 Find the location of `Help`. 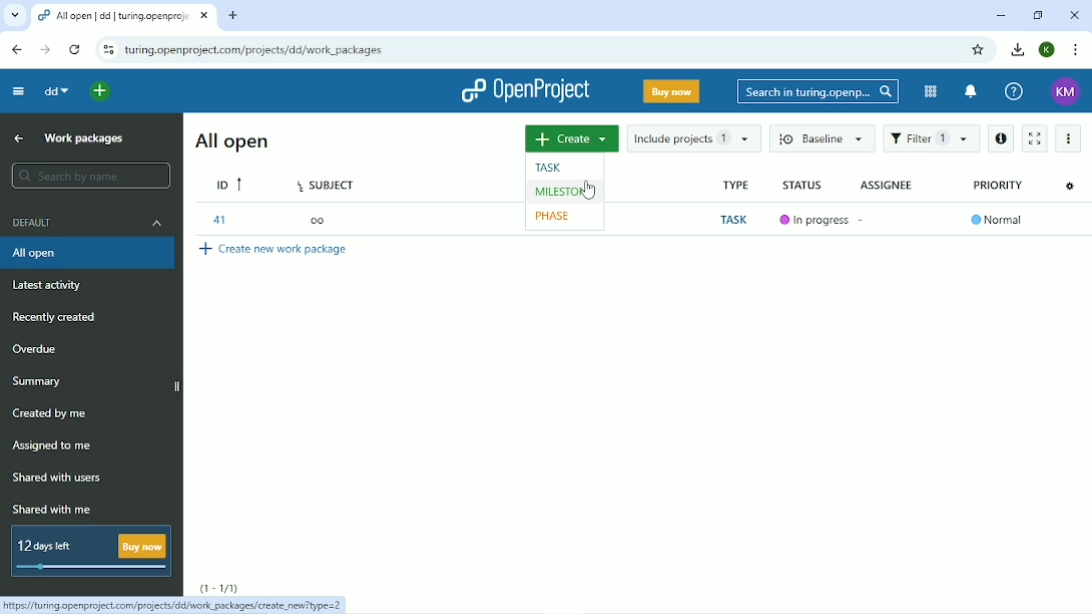

Help is located at coordinates (1014, 92).